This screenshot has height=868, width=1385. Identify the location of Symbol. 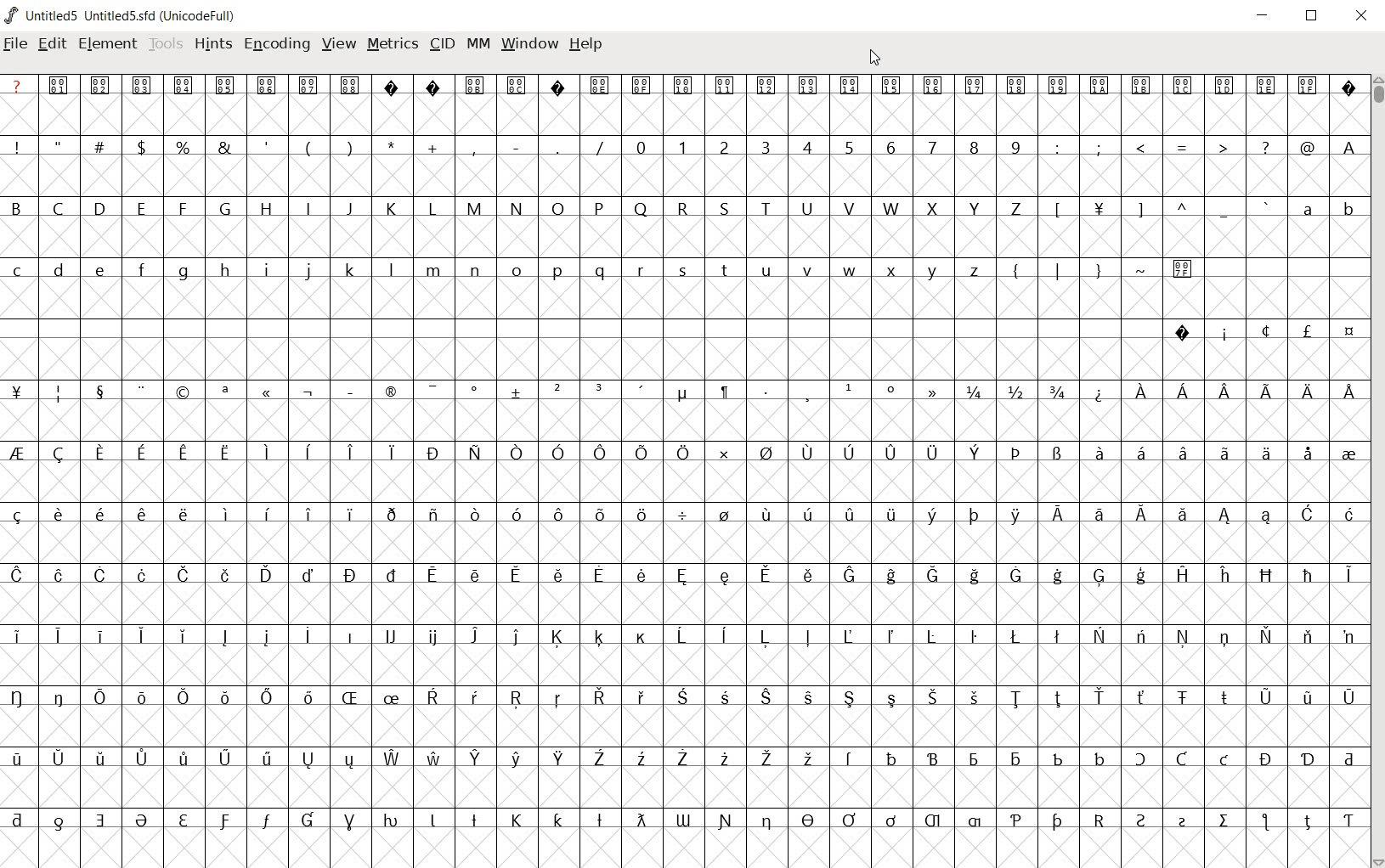
(225, 699).